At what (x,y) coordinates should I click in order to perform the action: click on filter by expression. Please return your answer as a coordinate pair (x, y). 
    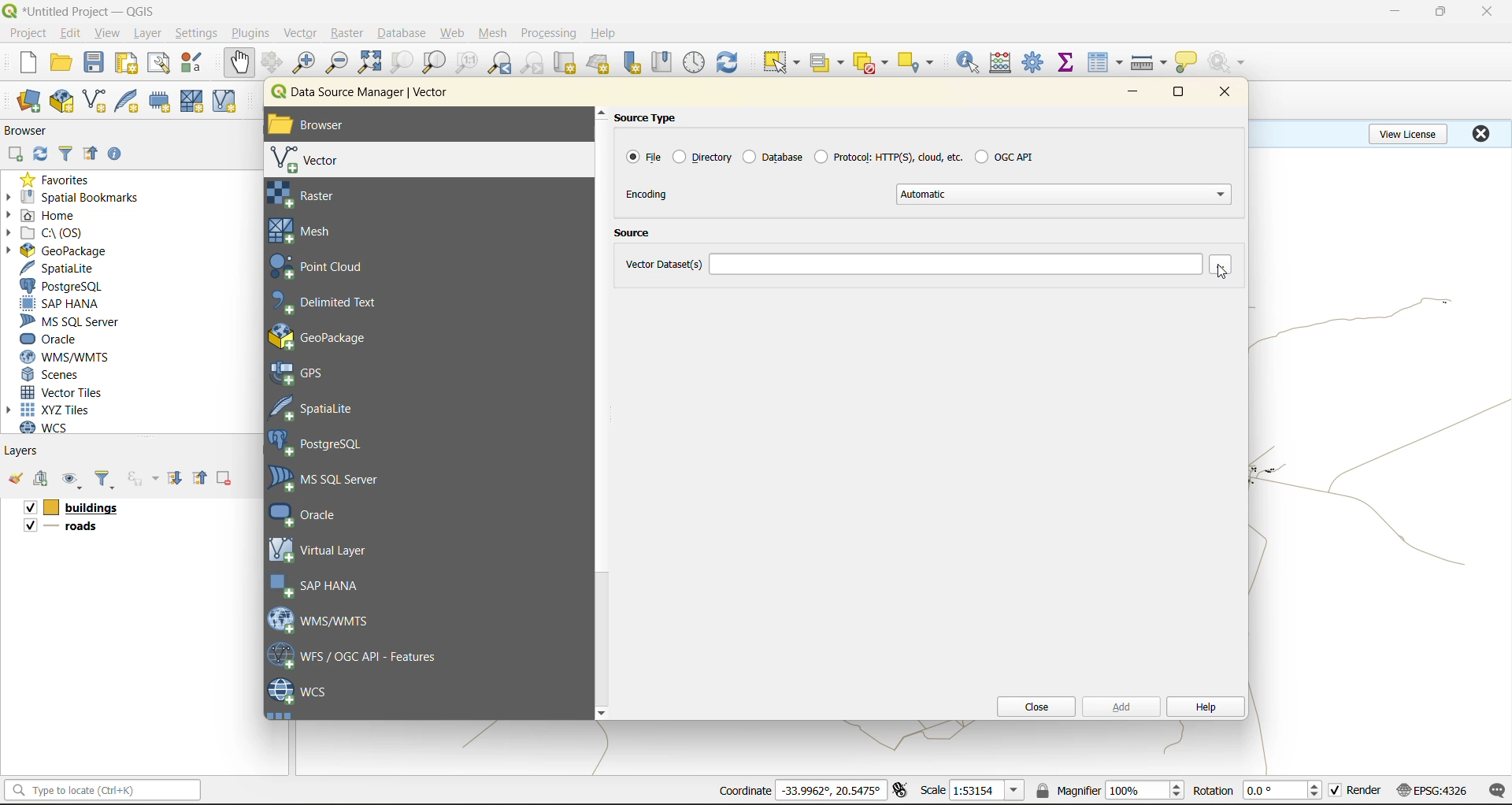
    Looking at the image, I should click on (145, 477).